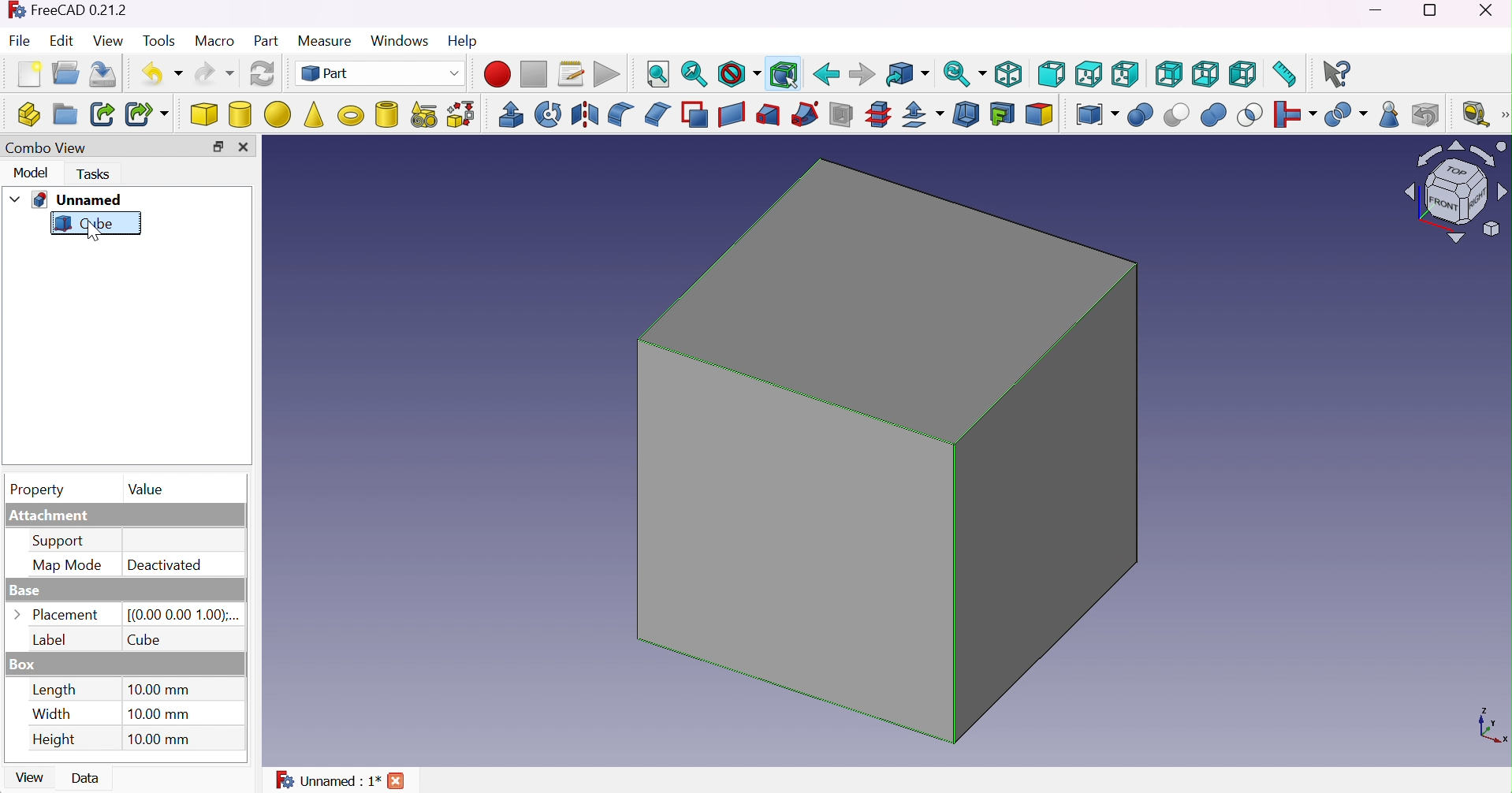 The image size is (1512, 793). What do you see at coordinates (620, 116) in the screenshot?
I see `Fillet` at bounding box center [620, 116].